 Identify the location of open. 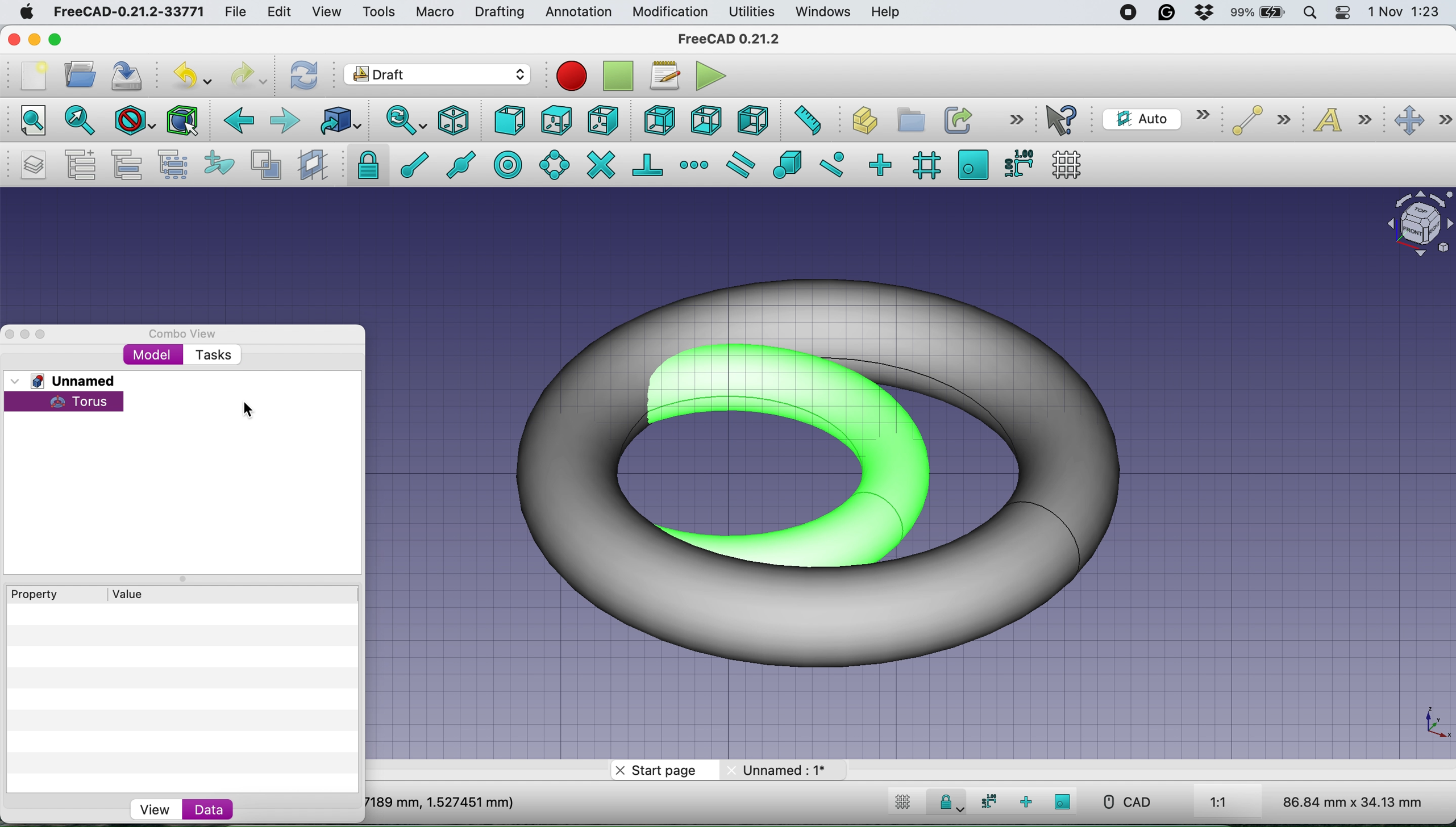
(80, 77).